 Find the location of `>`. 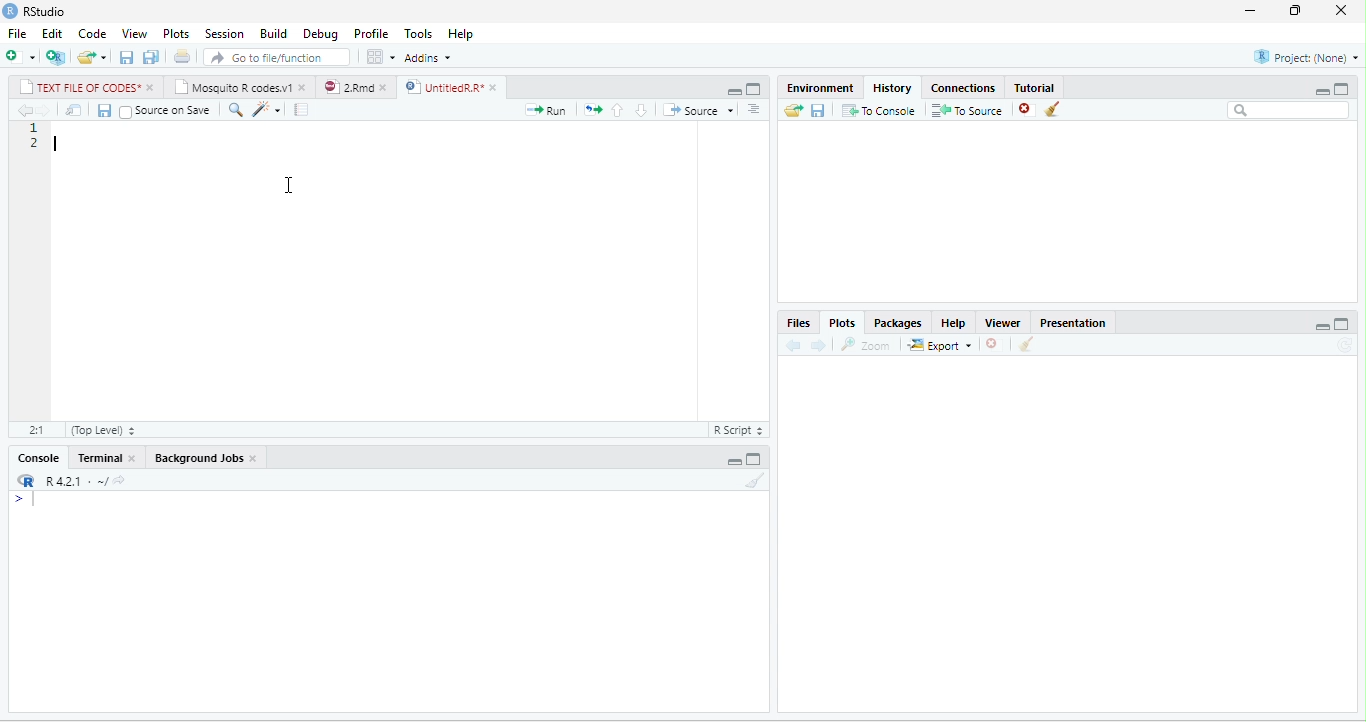

> is located at coordinates (30, 499).